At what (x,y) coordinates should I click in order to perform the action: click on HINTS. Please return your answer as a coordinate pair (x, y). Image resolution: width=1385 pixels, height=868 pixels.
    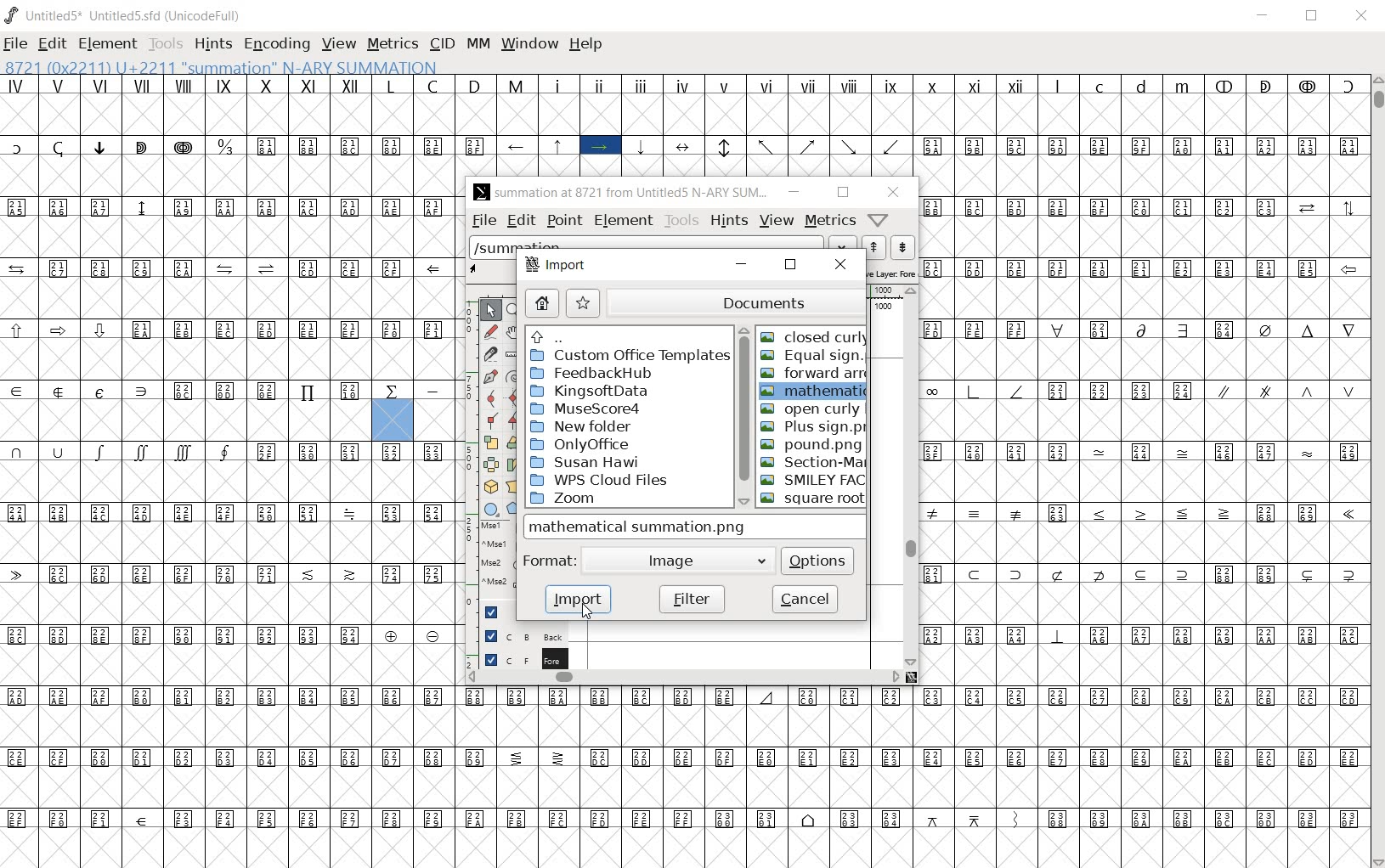
    Looking at the image, I should click on (212, 44).